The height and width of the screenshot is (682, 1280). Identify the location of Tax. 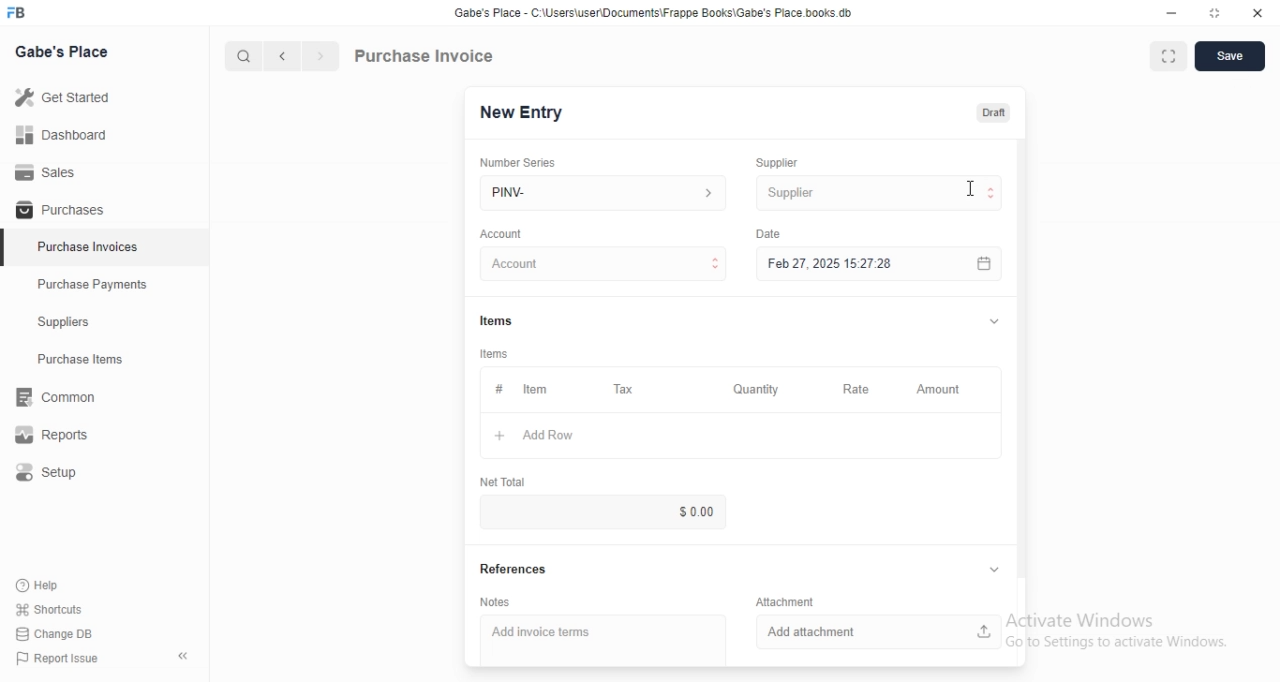
(626, 389).